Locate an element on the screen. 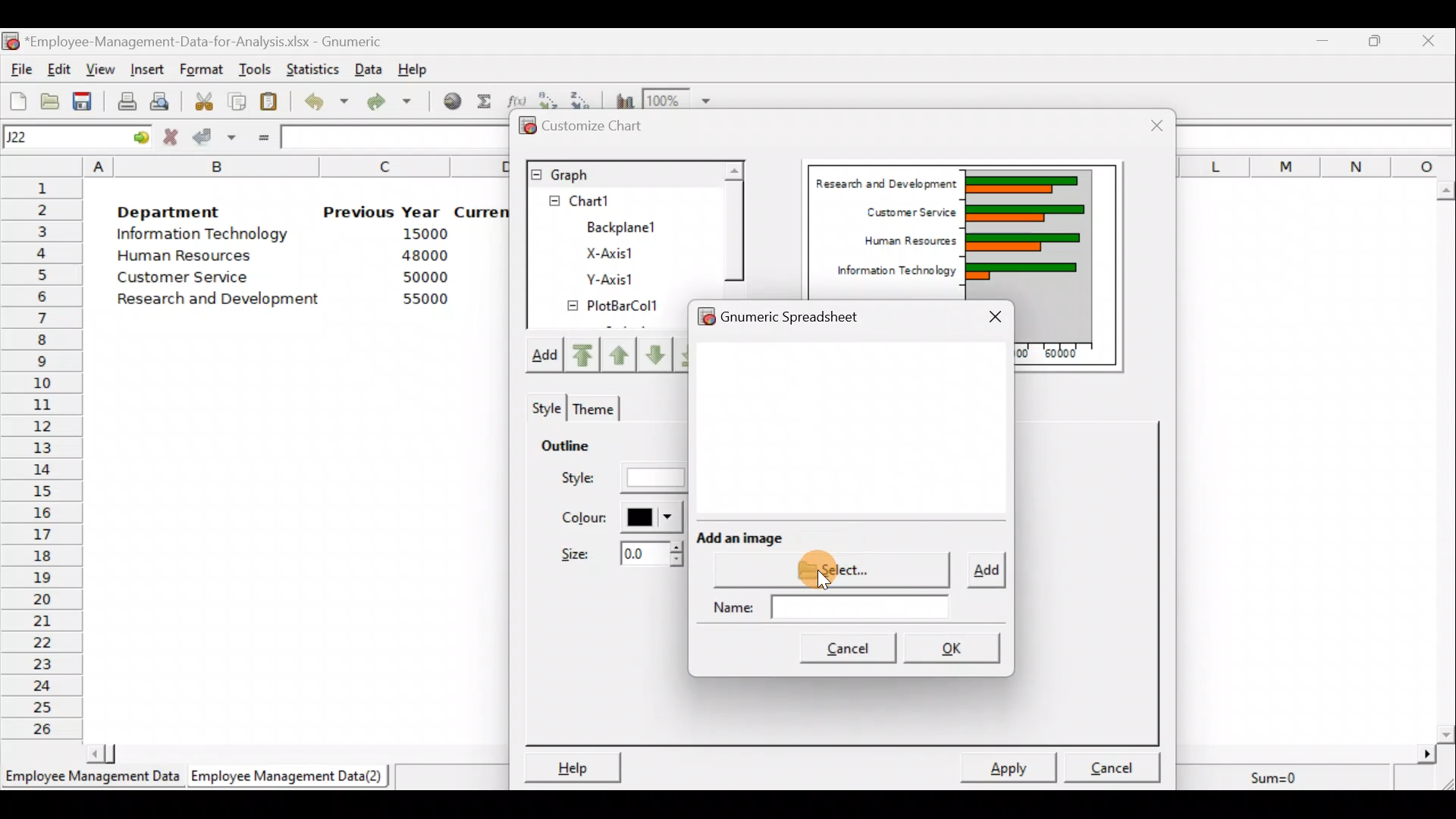 Image resolution: width=1456 pixels, height=819 pixels. Cancel is located at coordinates (1112, 764).